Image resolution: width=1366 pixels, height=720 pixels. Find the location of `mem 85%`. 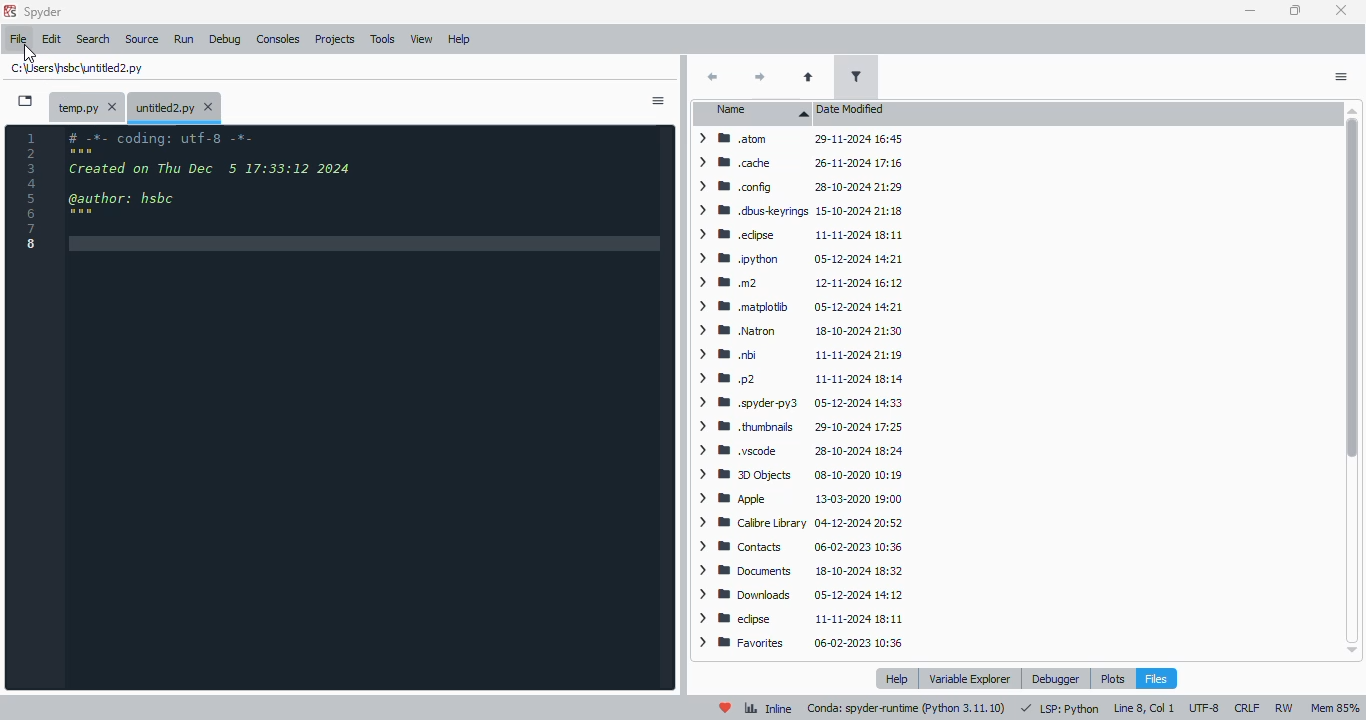

mem 85% is located at coordinates (1335, 708).